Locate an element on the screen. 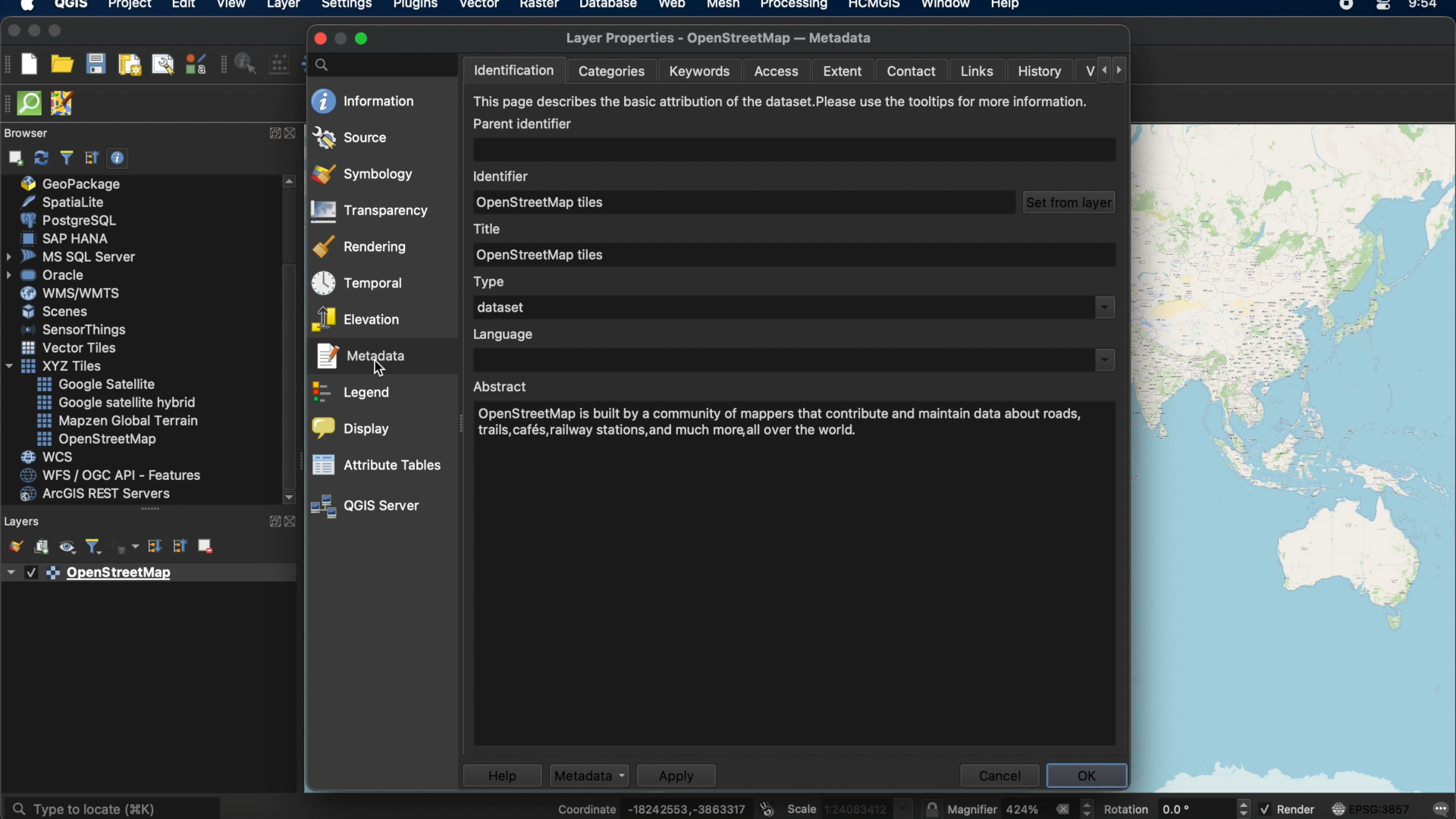  Layer Properties - OpenStreetMap — Metadata is located at coordinates (725, 38).